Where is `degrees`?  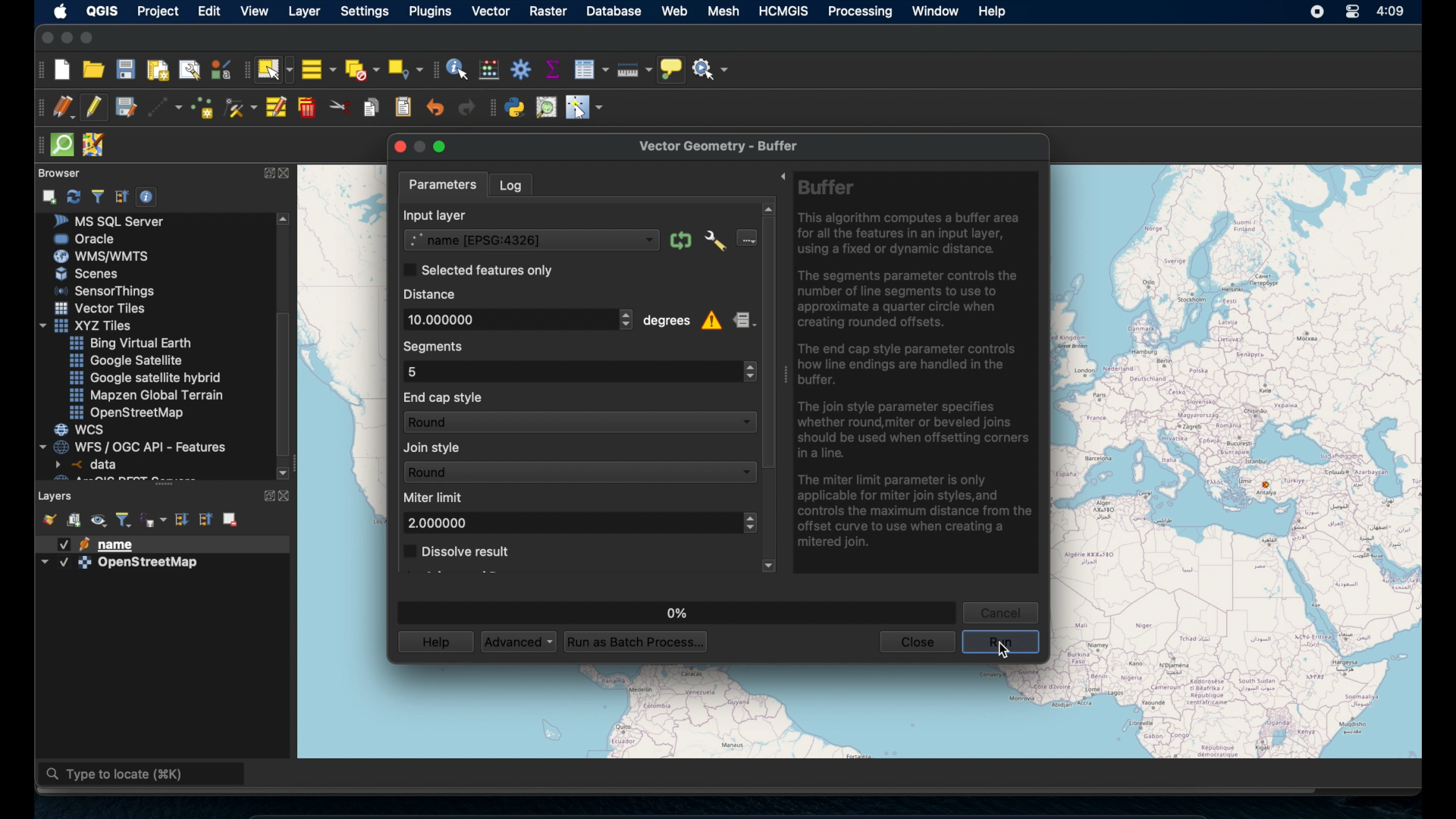
degrees is located at coordinates (667, 322).